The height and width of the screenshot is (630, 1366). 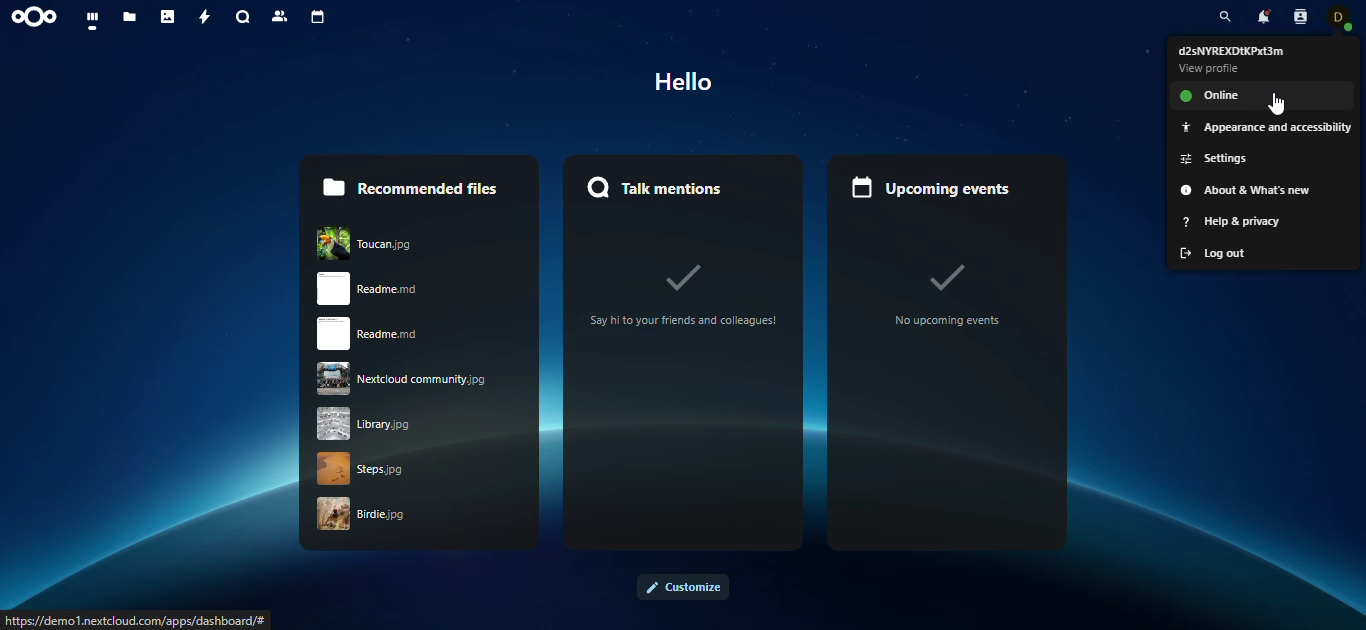 I want to click on contacts, so click(x=1300, y=16).